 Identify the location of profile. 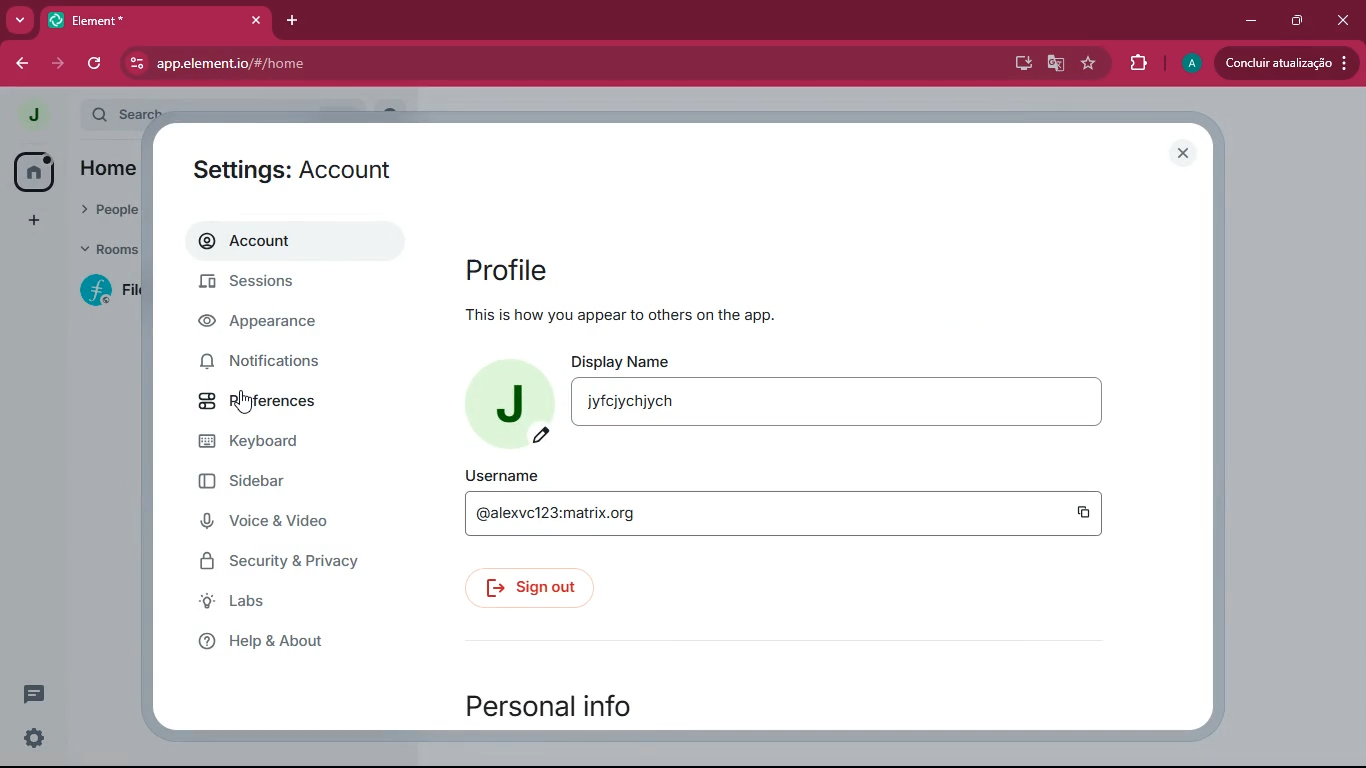
(1190, 64).